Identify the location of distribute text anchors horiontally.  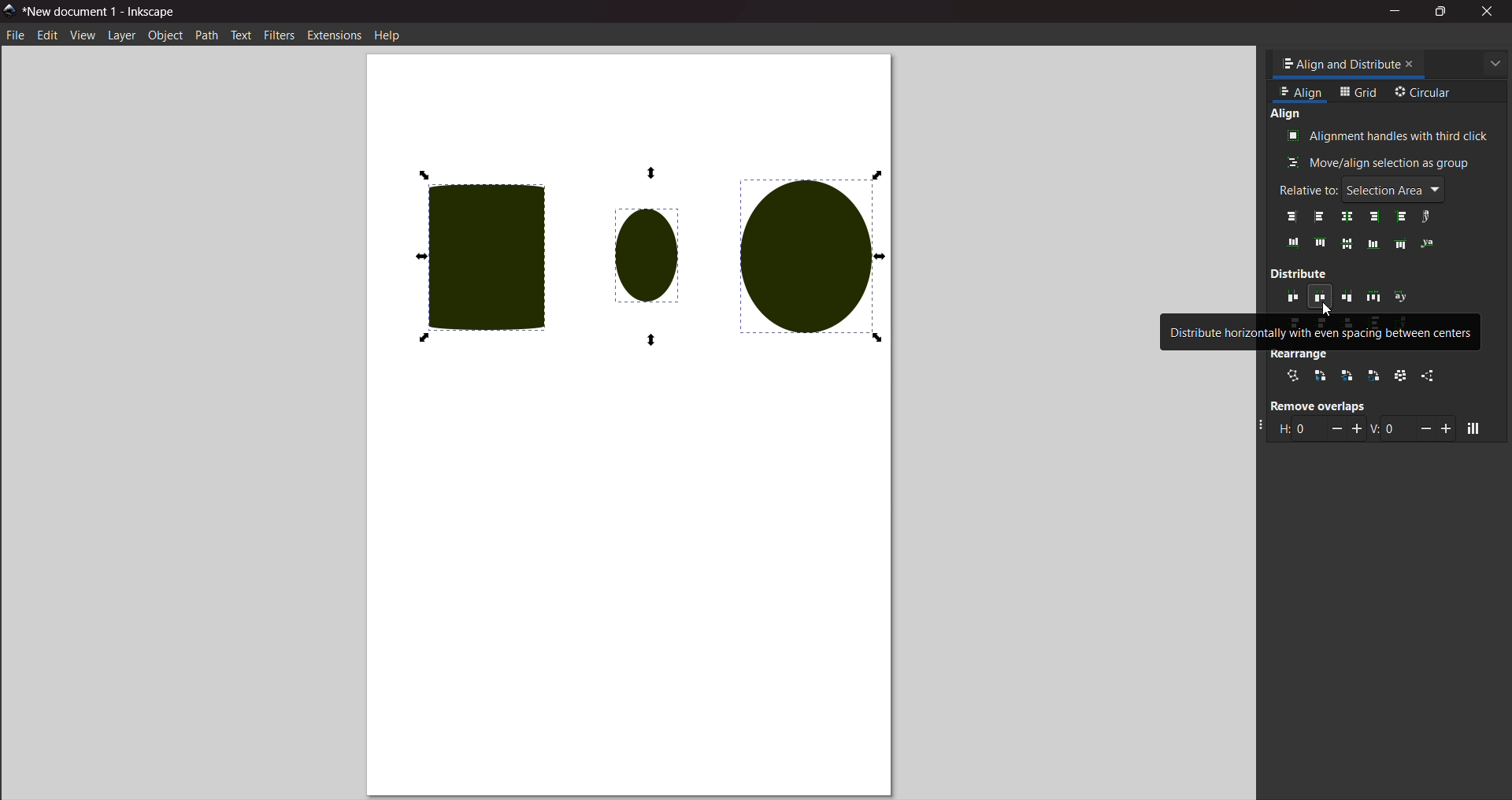
(1403, 296).